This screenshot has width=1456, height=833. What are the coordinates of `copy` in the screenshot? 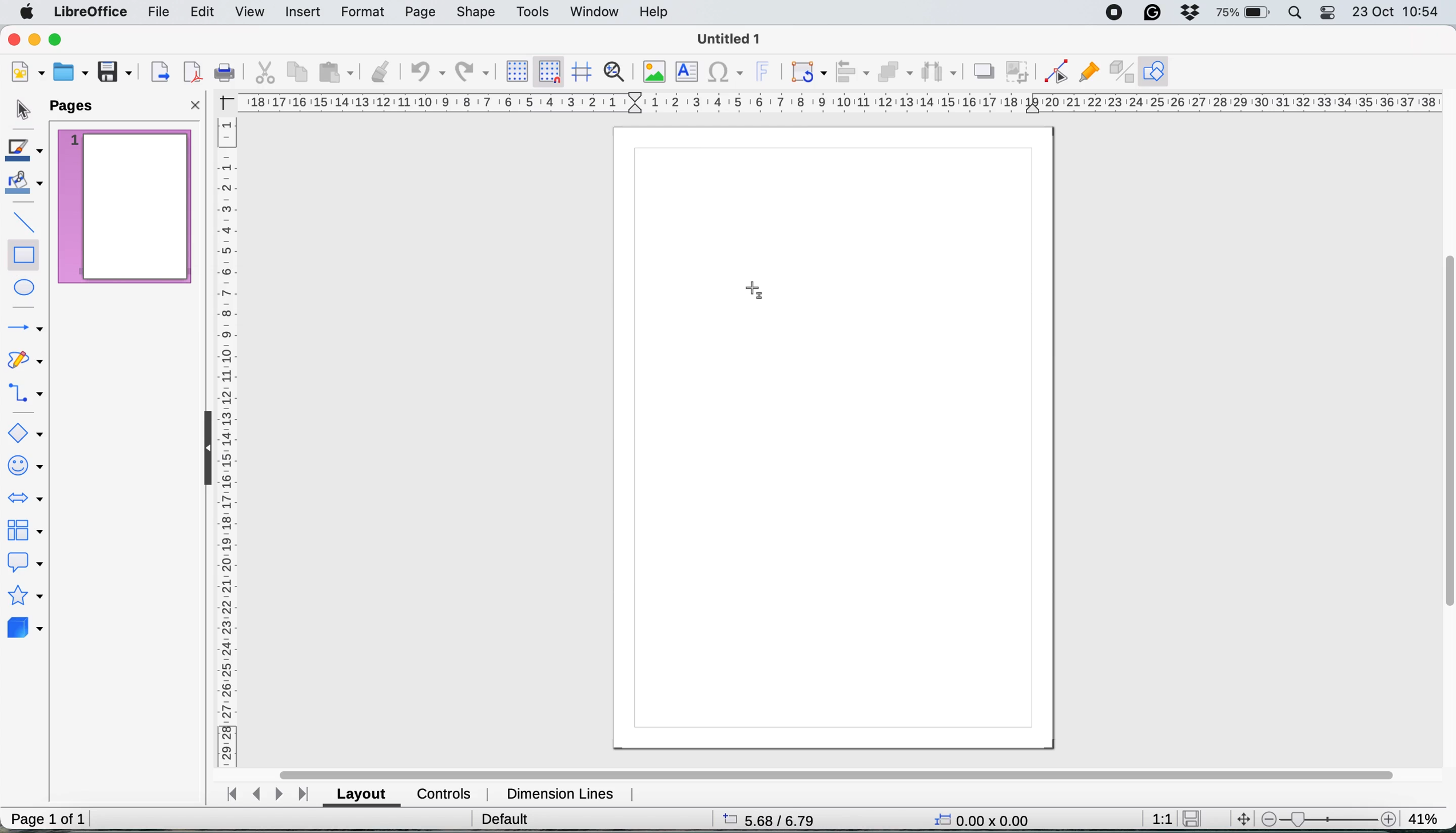 It's located at (301, 72).